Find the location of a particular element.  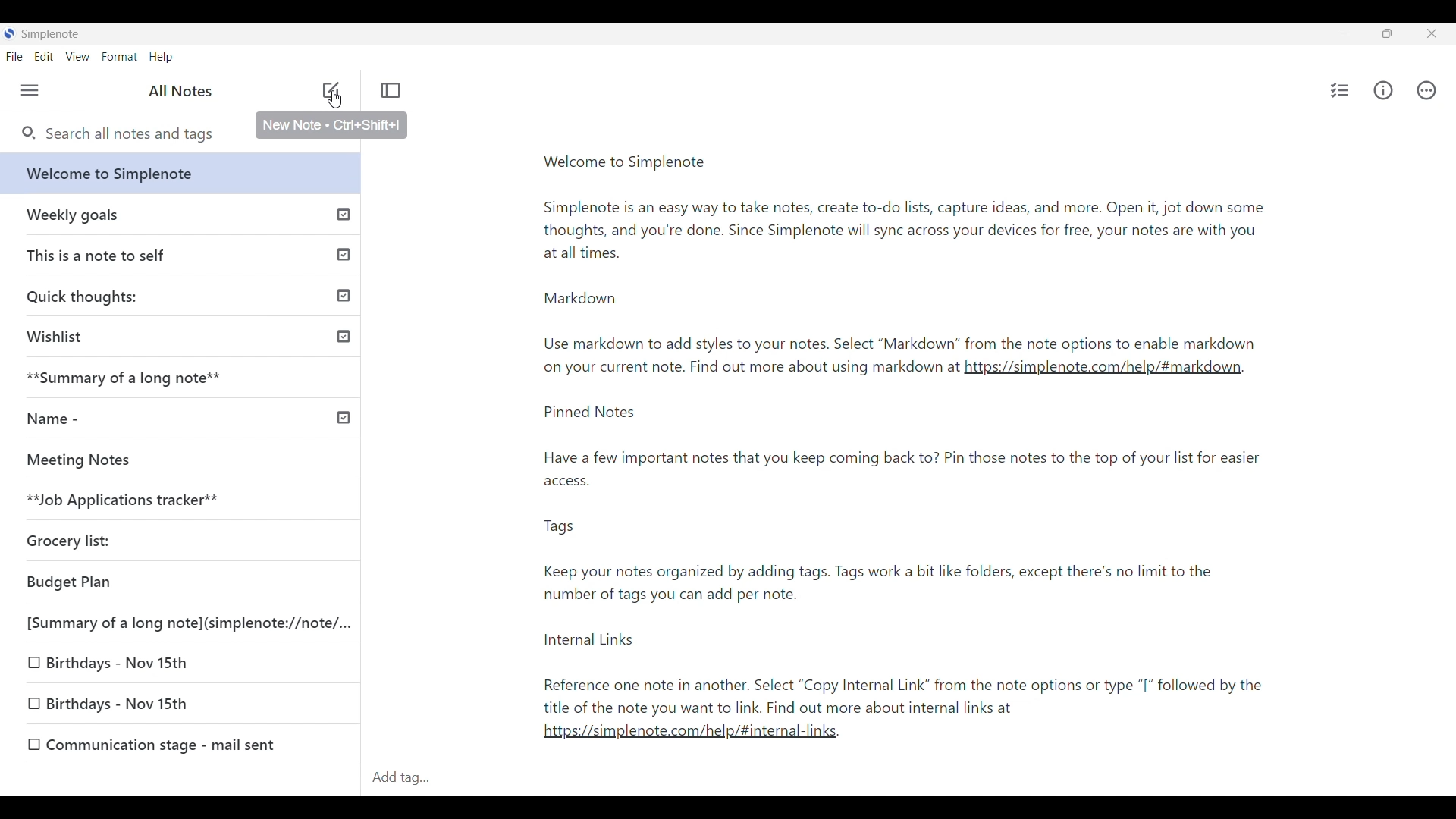

Published note, indicated by check icon is located at coordinates (188, 416).